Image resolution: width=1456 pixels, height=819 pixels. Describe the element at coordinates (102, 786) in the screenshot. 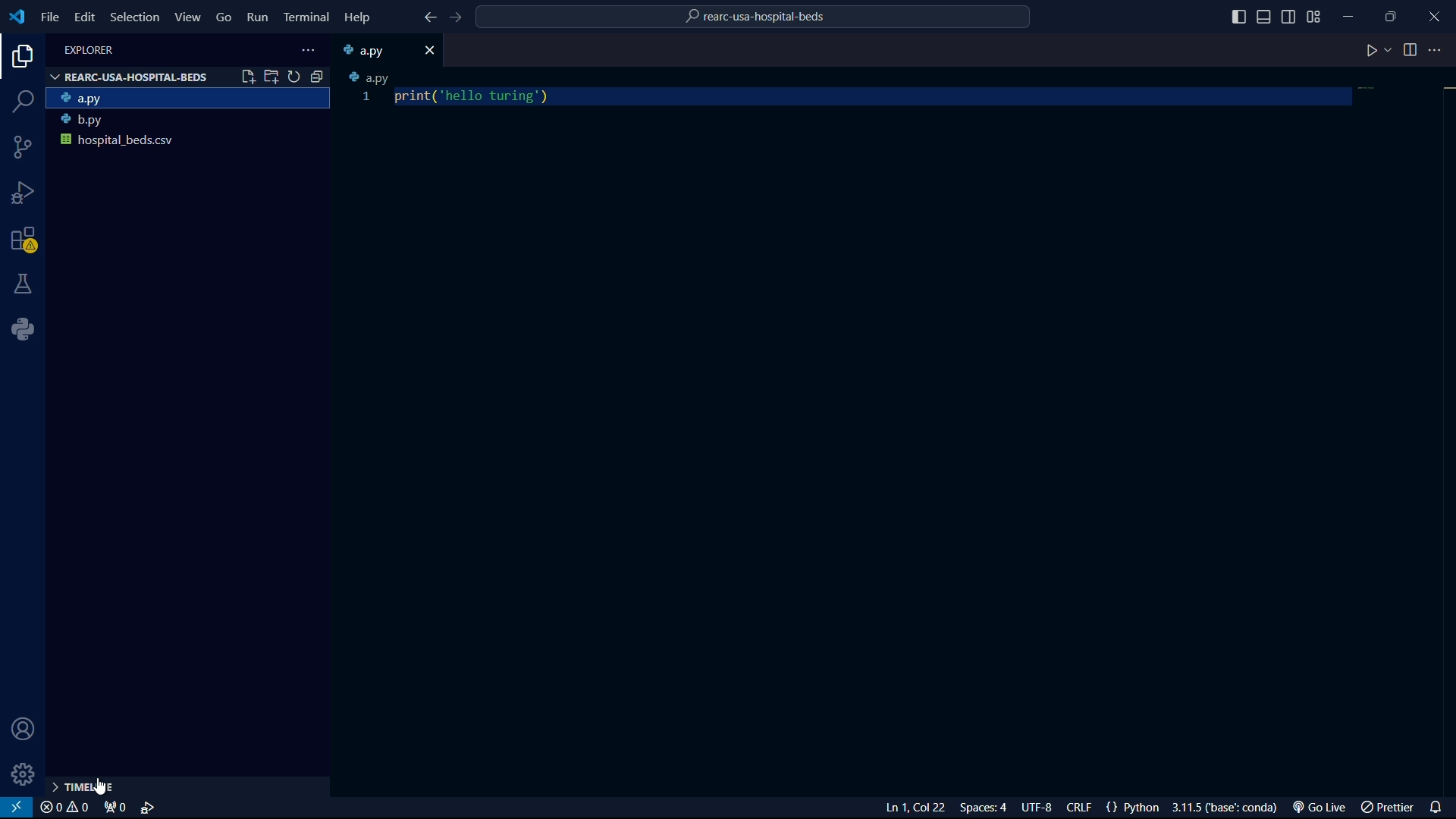

I see `cursor` at that location.